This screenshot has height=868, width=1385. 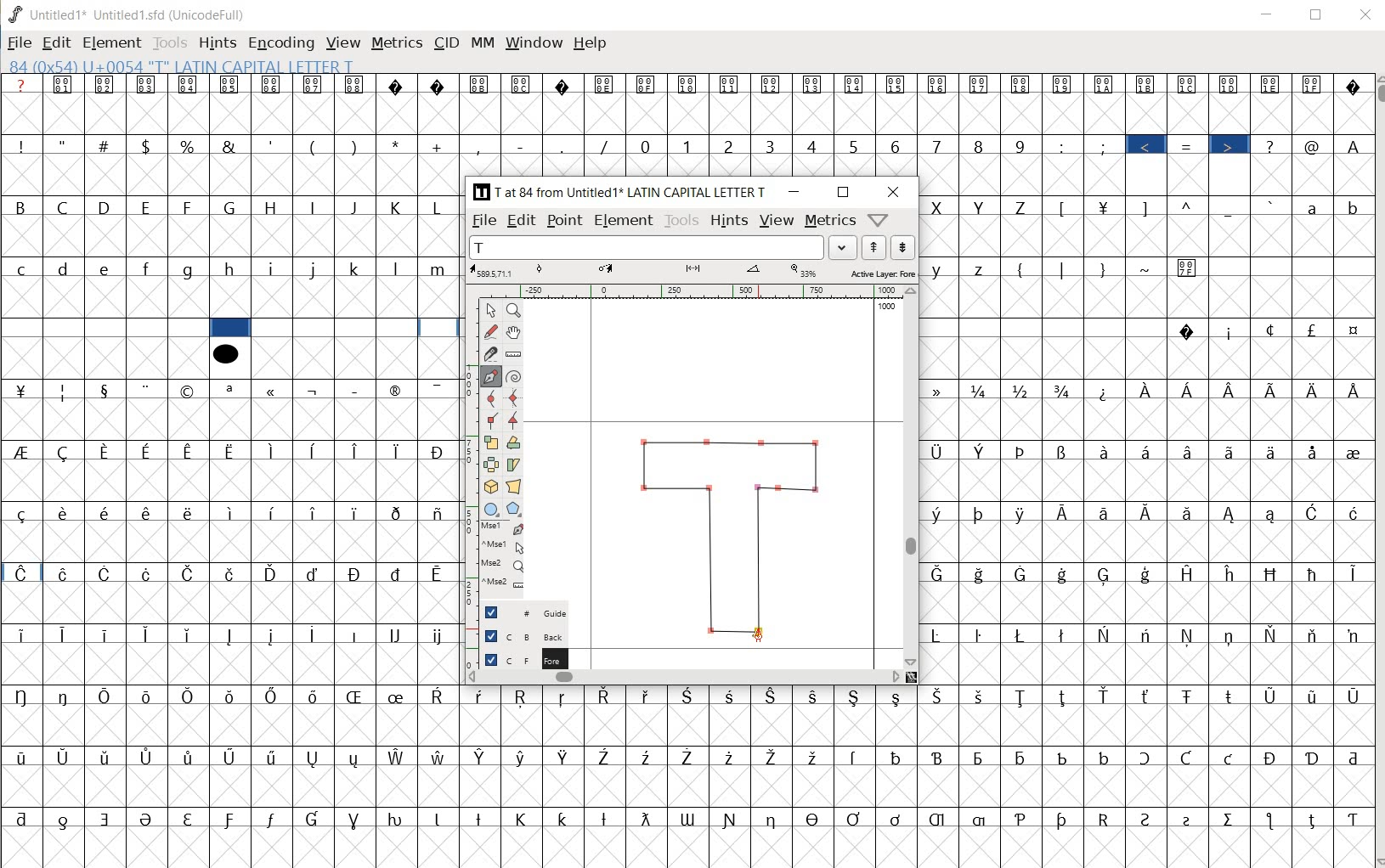 I want to click on Symbol, so click(x=1350, y=696).